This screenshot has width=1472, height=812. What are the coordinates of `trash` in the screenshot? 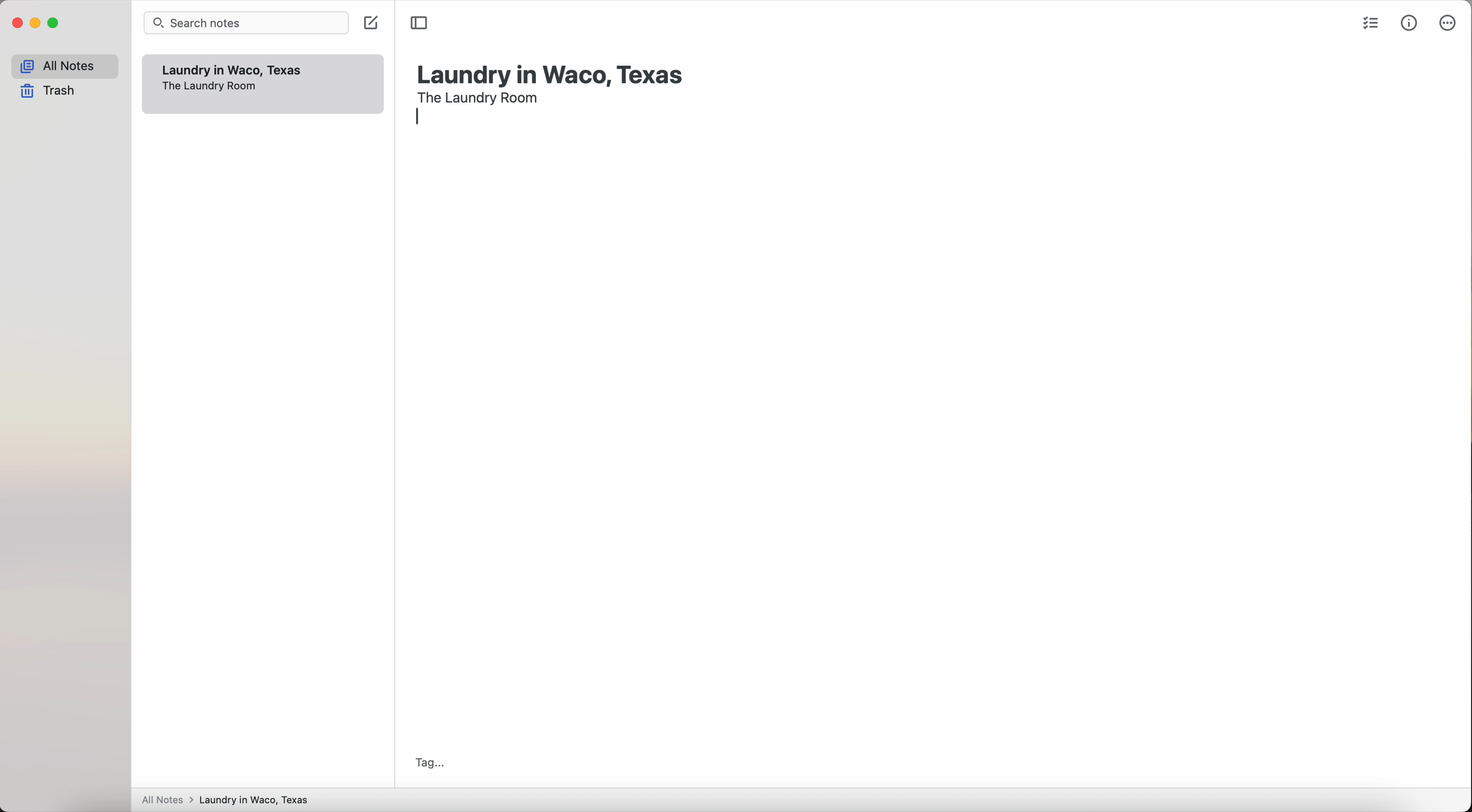 It's located at (51, 92).